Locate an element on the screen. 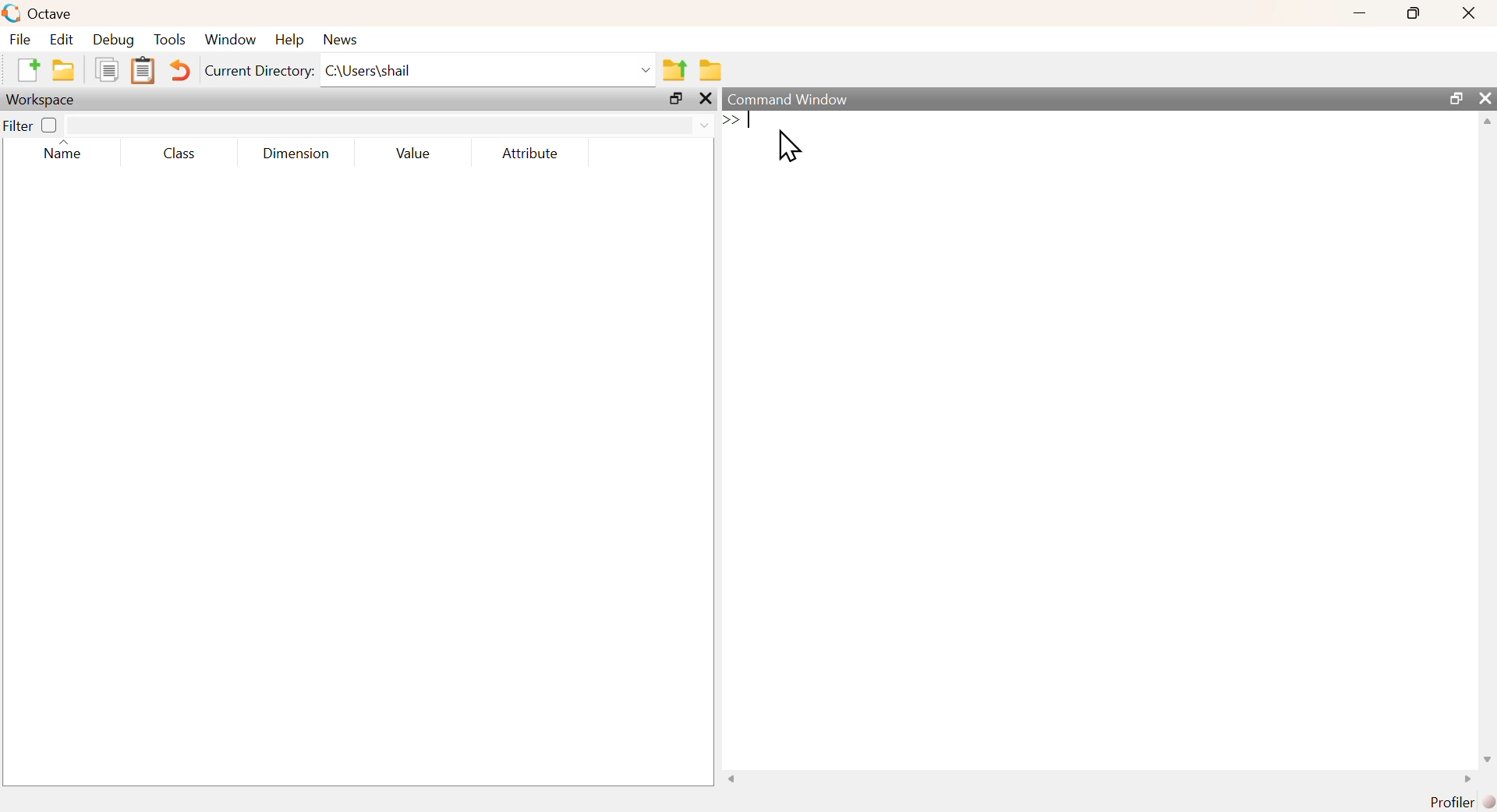  search area is located at coordinates (391, 125).